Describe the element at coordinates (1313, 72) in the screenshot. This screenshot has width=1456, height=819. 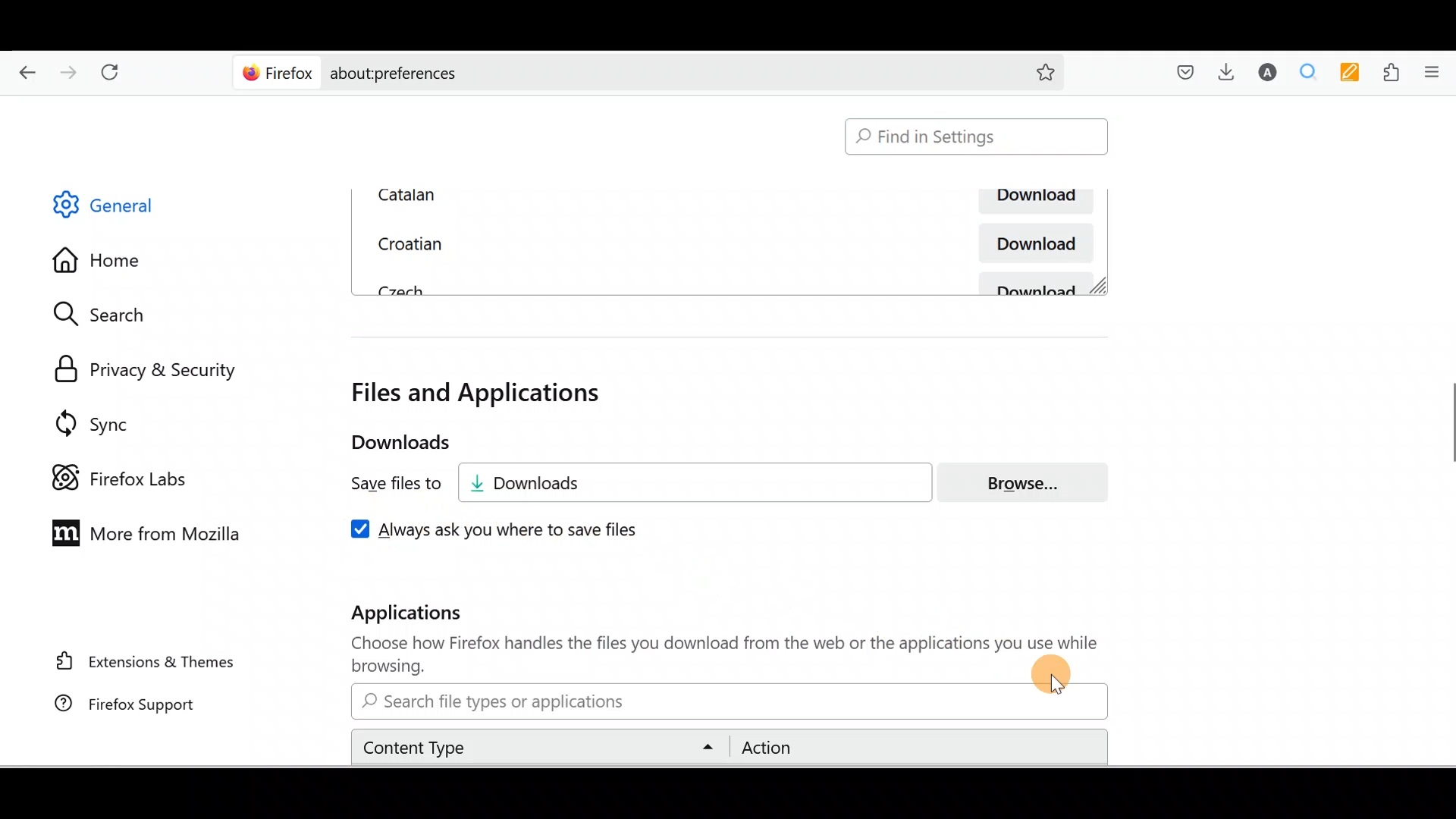
I see `Multiple search and highlight` at that location.